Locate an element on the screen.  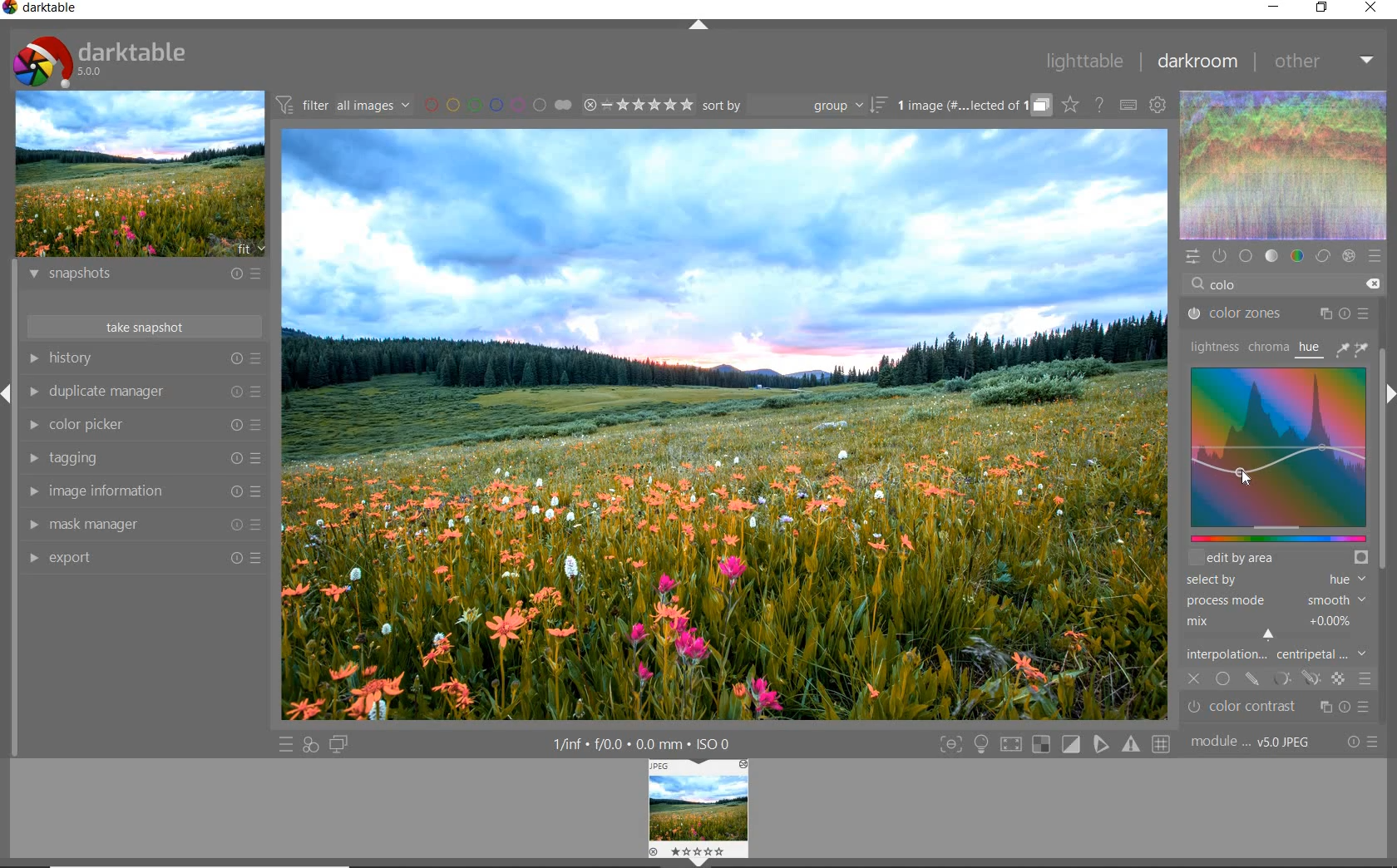
select by is located at coordinates (1275, 580).